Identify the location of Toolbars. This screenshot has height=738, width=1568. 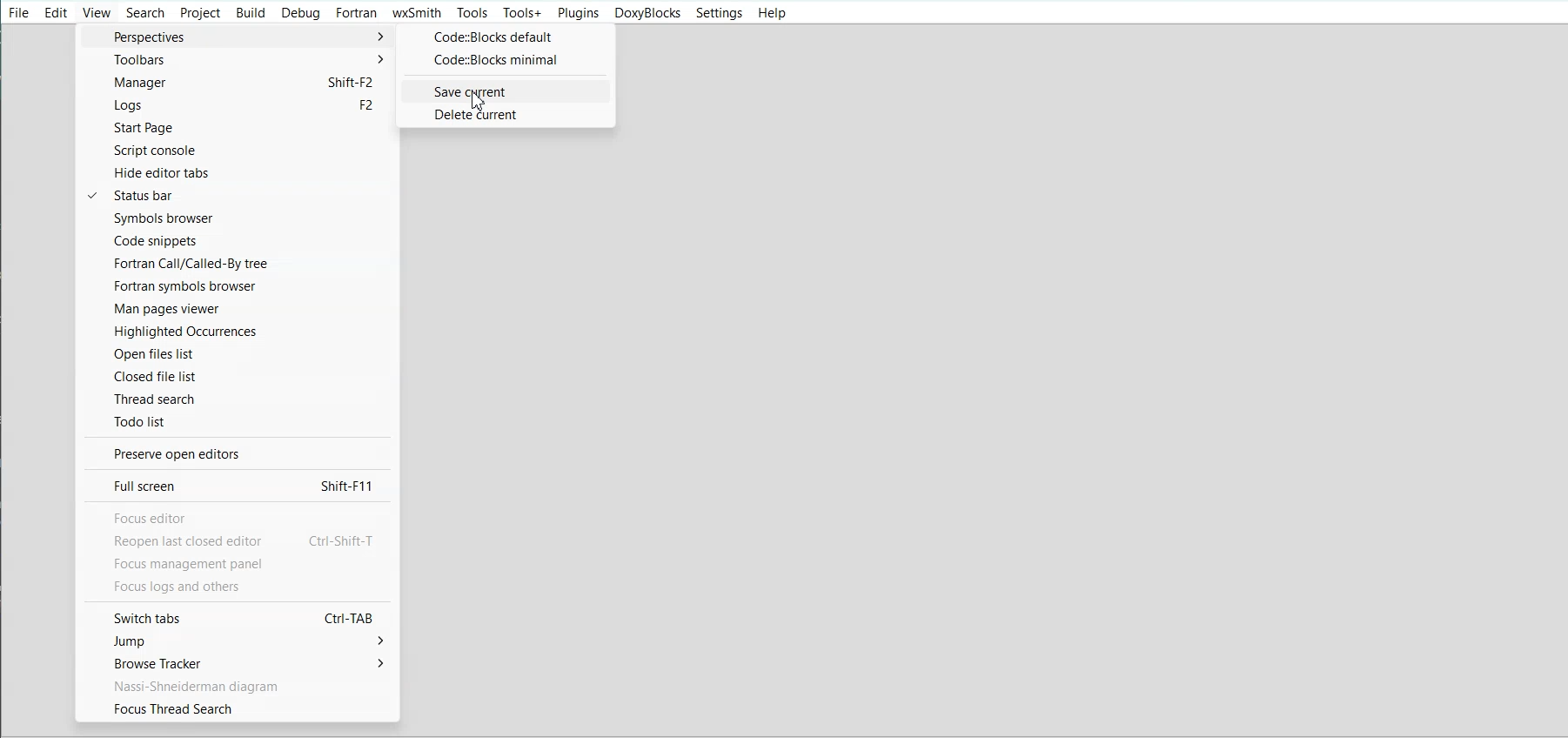
(238, 61).